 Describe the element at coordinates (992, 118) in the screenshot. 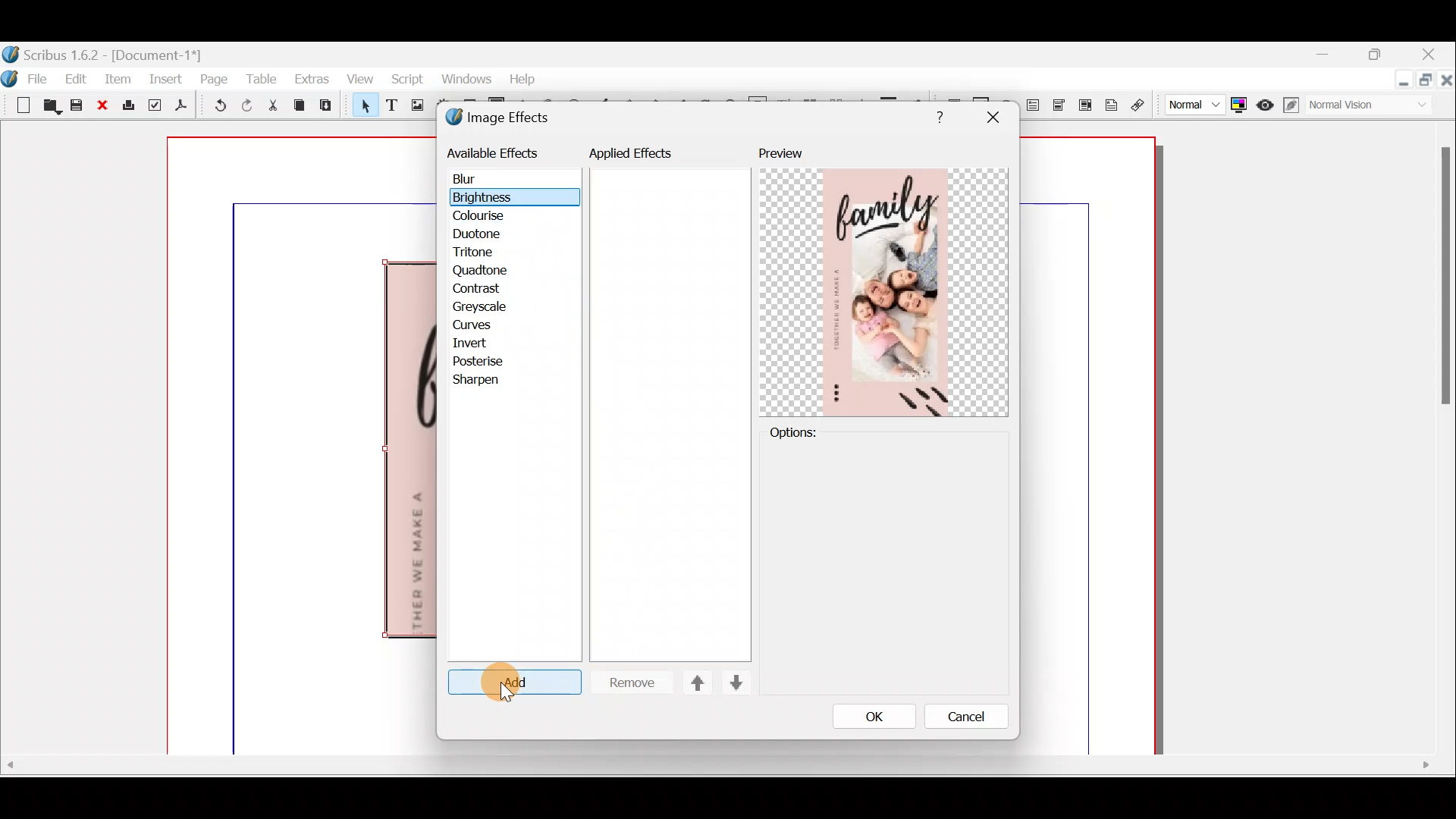

I see `` at that location.